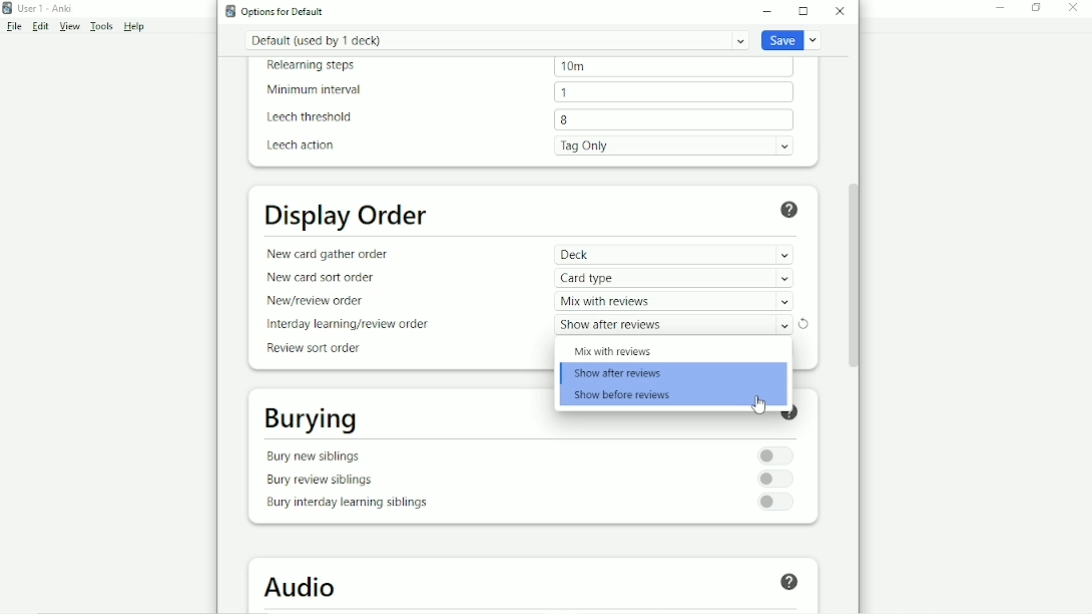 The width and height of the screenshot is (1092, 614). I want to click on Review sort order, so click(313, 348).